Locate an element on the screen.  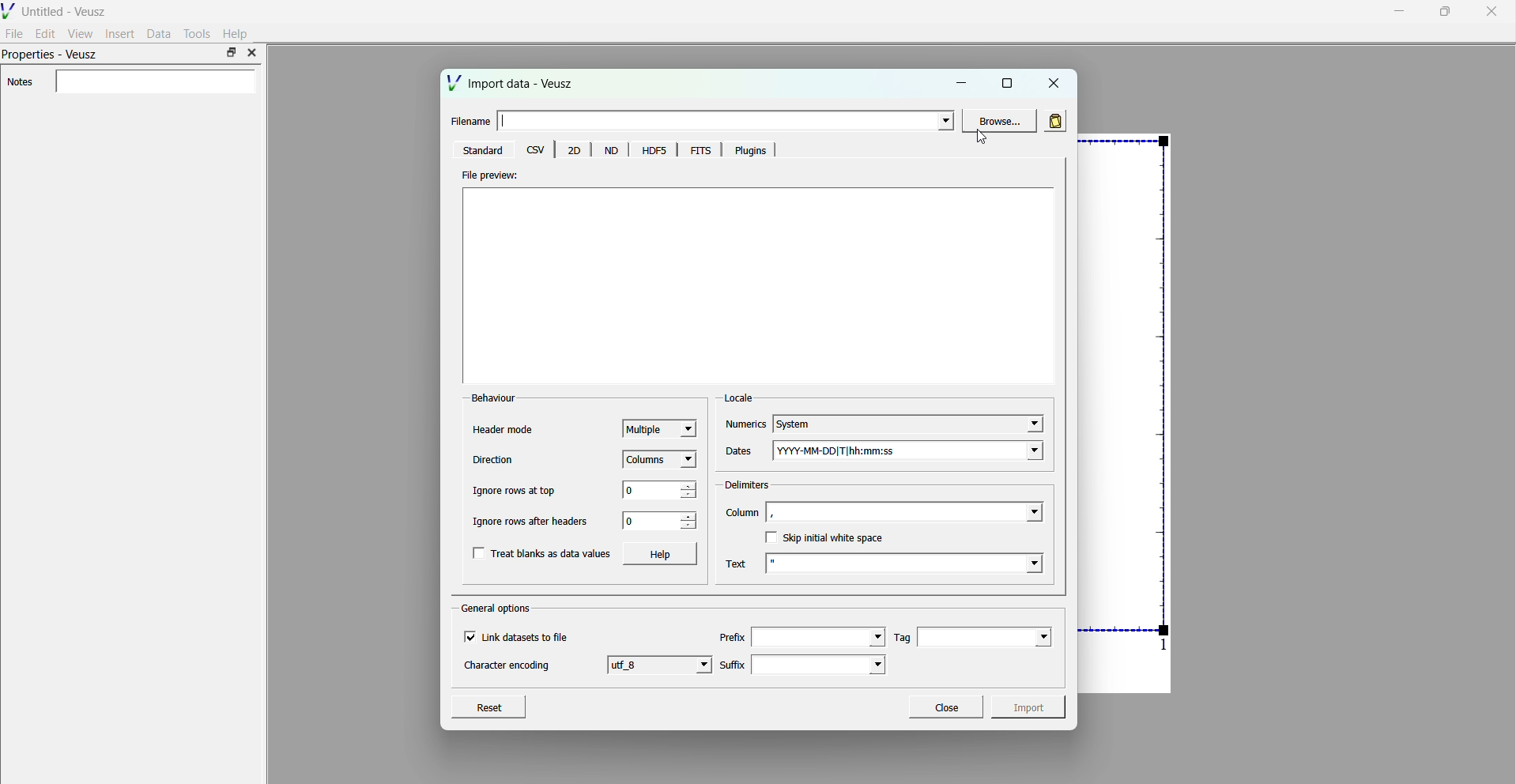
Link datasets to file is located at coordinates (530, 637).